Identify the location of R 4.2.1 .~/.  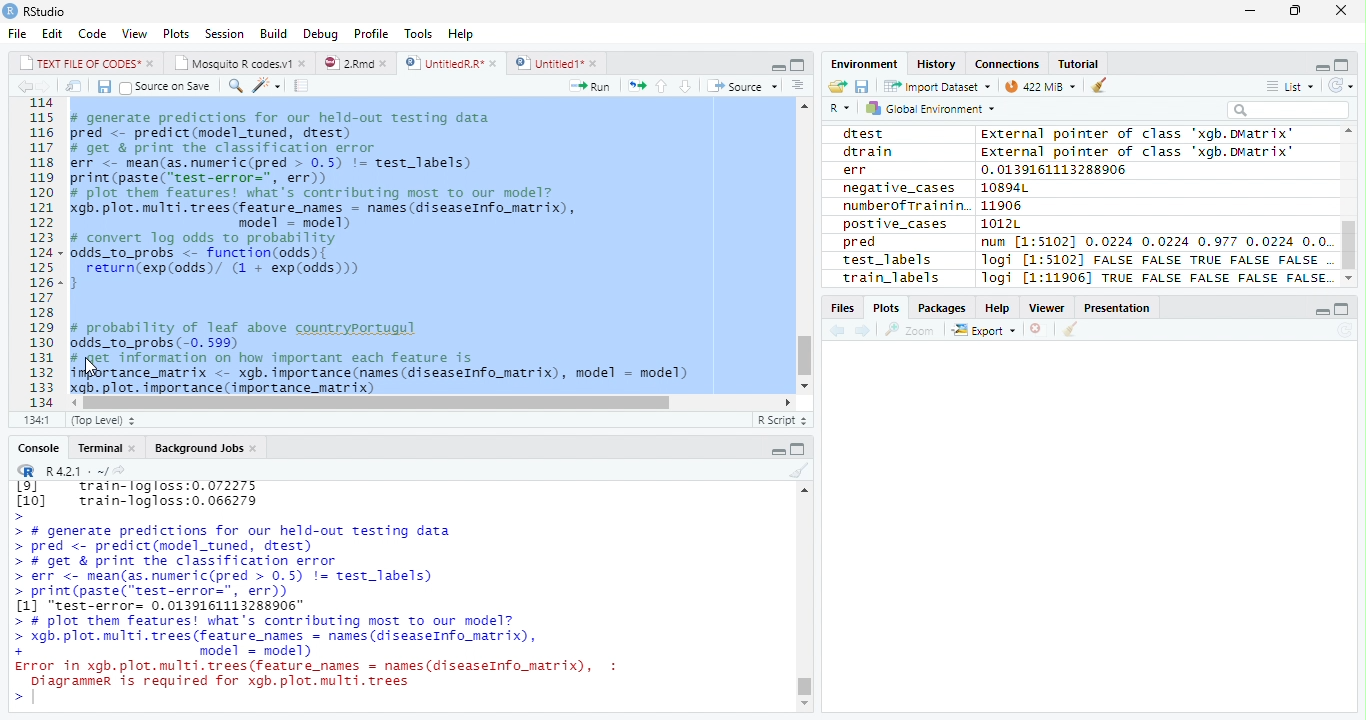
(74, 470).